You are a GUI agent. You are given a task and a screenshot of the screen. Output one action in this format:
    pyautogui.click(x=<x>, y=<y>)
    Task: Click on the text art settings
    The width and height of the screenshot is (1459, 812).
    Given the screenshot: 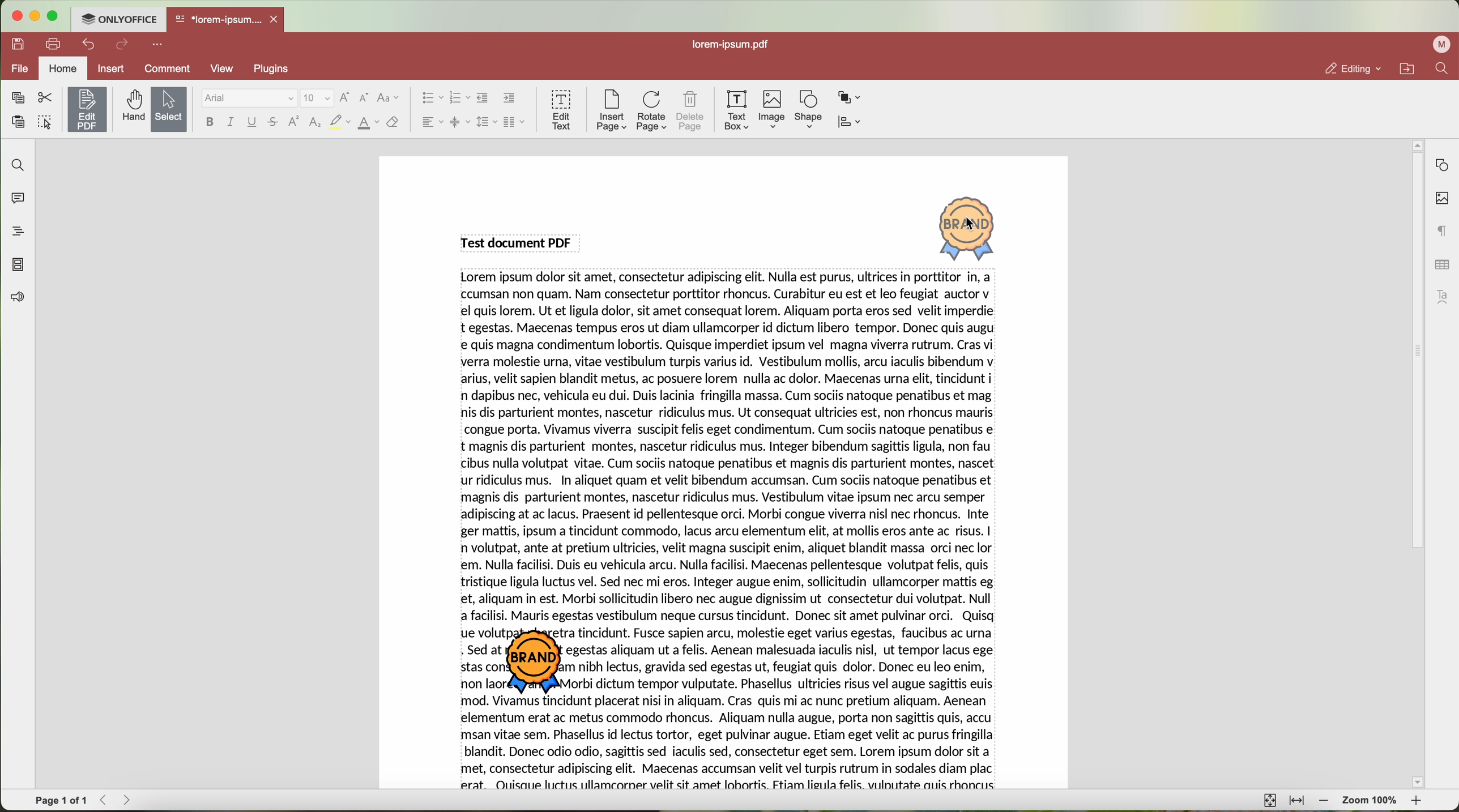 What is the action you would take?
    pyautogui.click(x=1445, y=297)
    